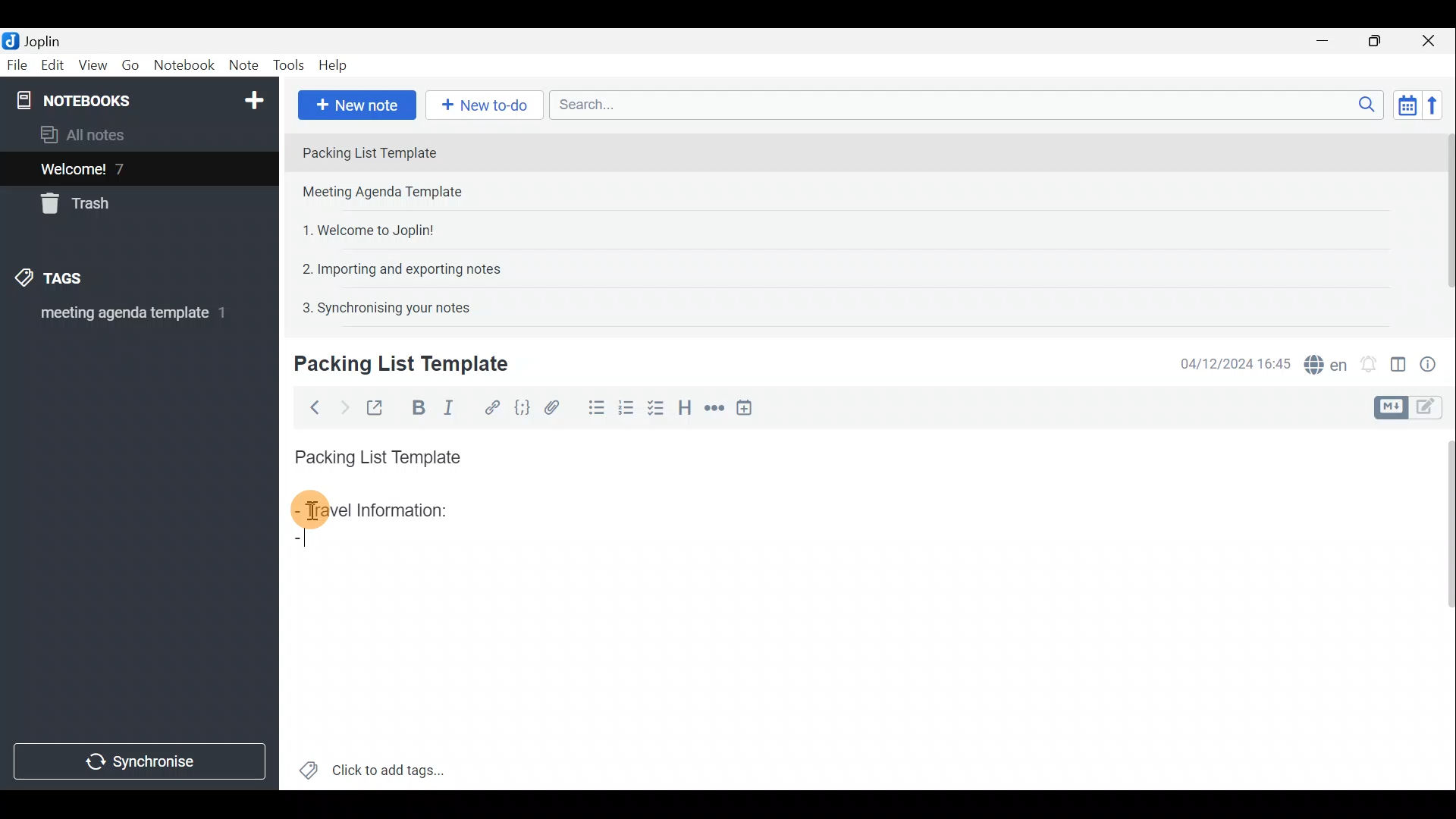  Describe the element at coordinates (712, 408) in the screenshot. I see `Horizontal rule` at that location.